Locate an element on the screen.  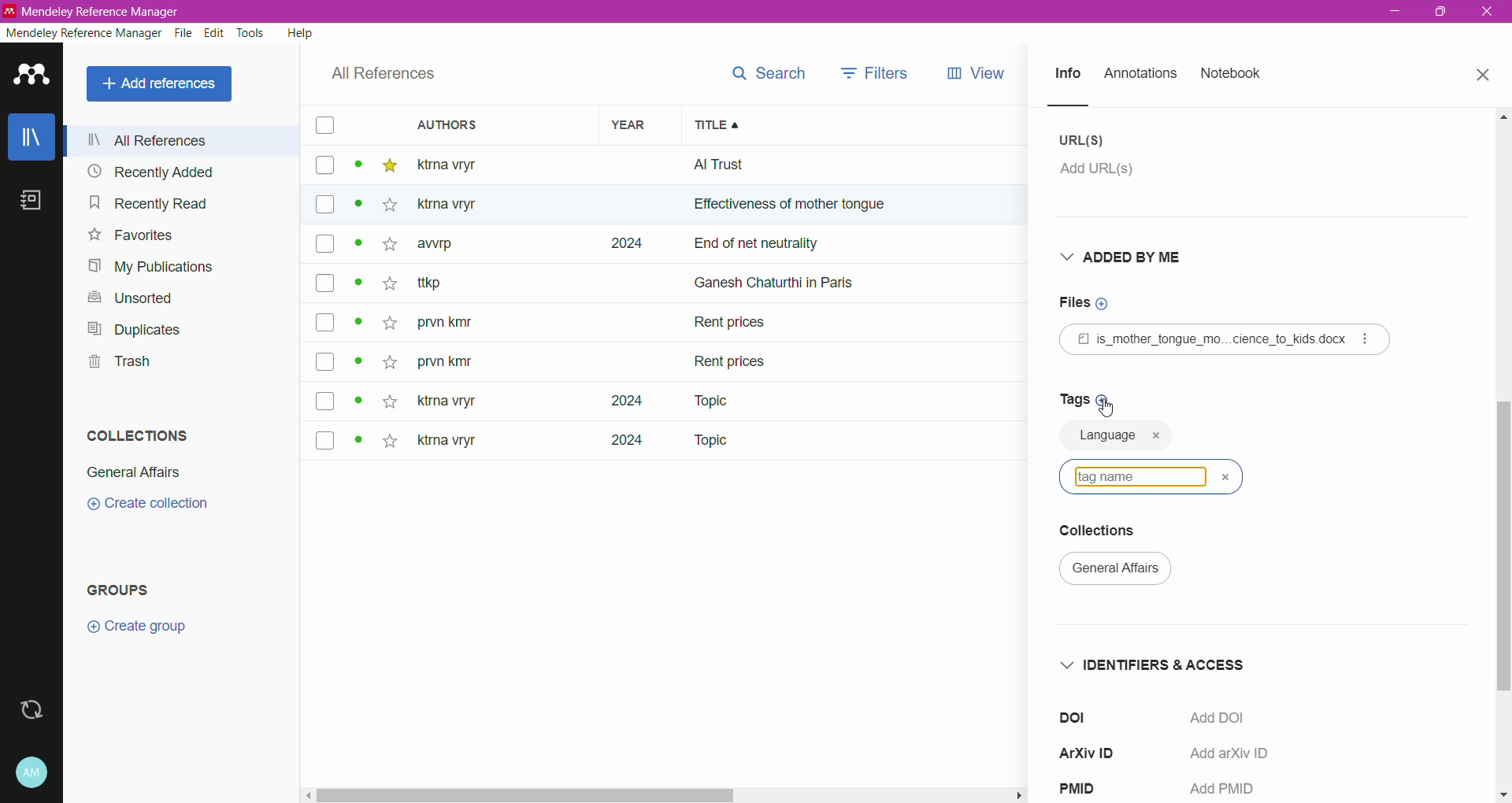
Add PMID is located at coordinates (1226, 790).